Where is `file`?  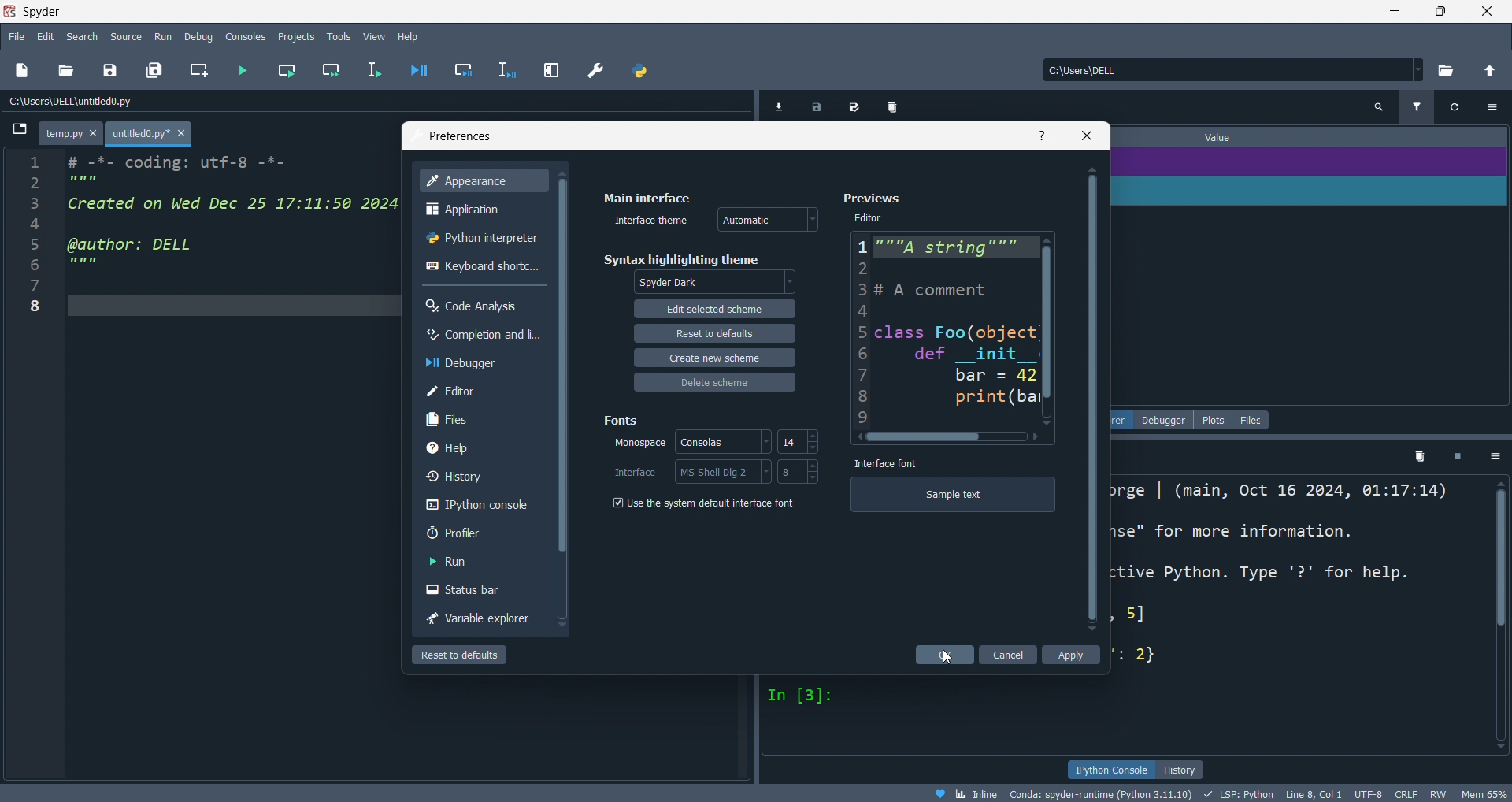 file is located at coordinates (17, 36).